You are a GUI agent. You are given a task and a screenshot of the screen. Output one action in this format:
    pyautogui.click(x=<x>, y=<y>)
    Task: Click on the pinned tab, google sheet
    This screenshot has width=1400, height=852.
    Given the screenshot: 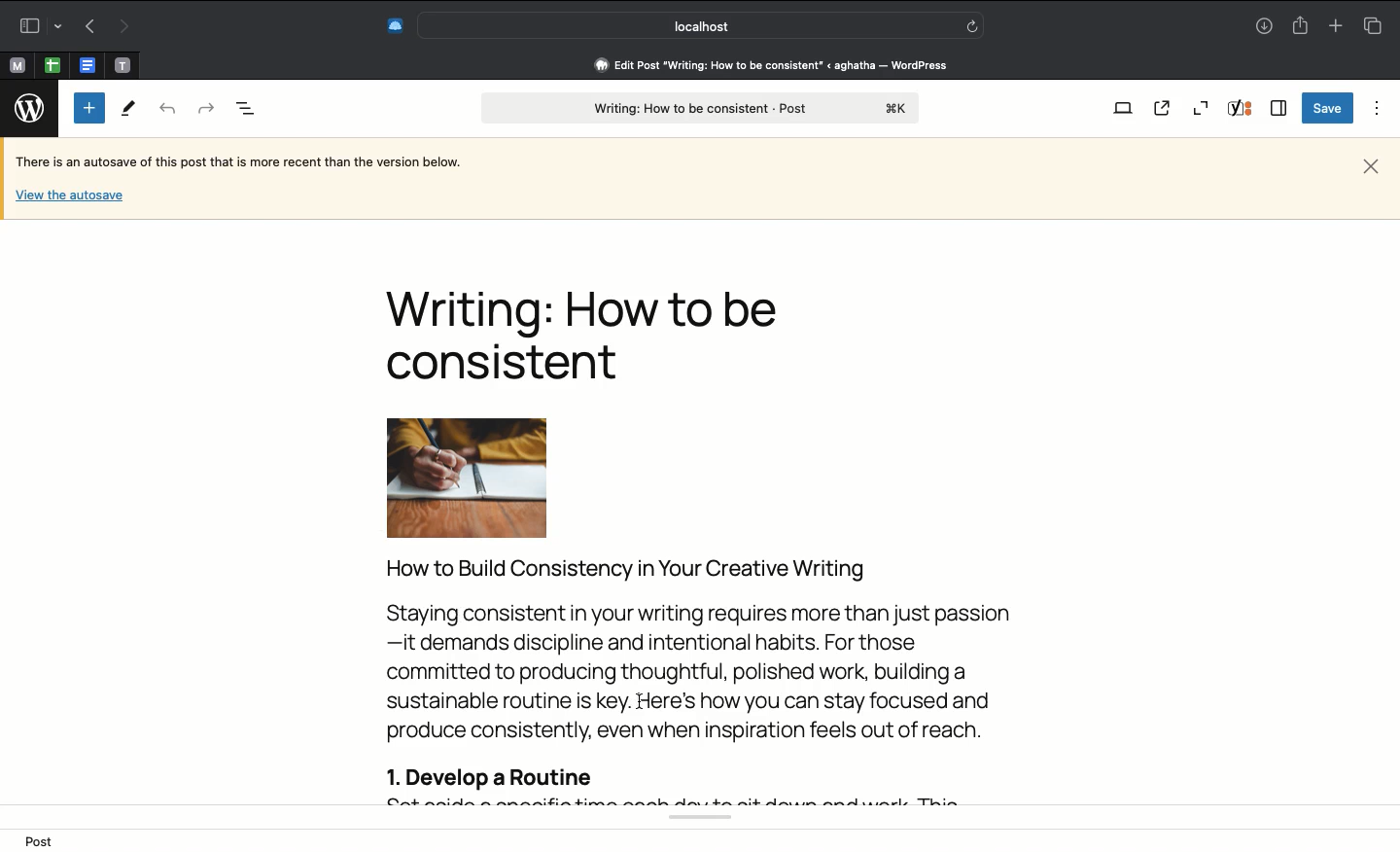 What is the action you would take?
    pyautogui.click(x=52, y=62)
    